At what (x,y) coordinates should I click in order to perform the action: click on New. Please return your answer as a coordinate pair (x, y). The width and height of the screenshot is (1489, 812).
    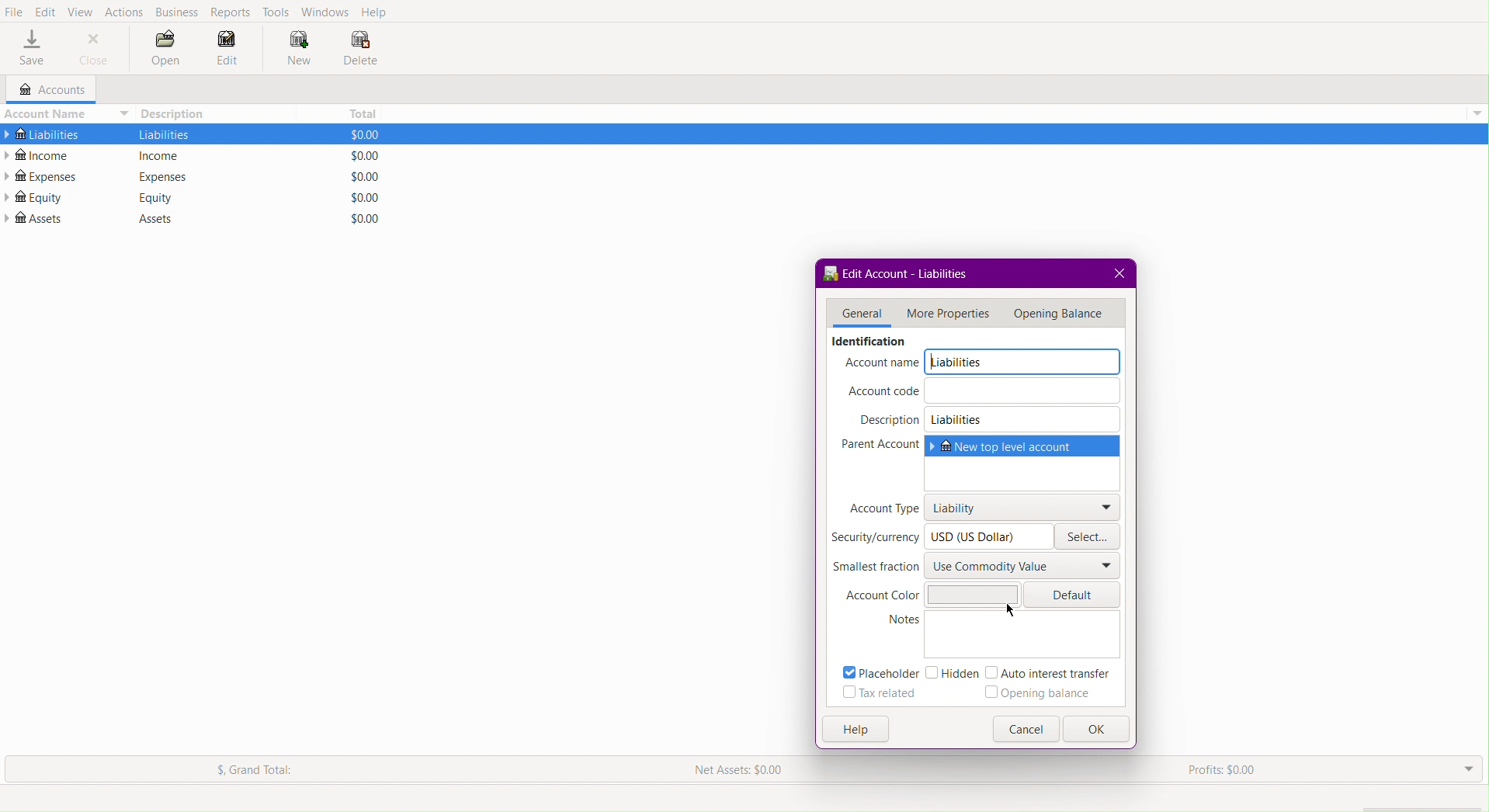
    Looking at the image, I should click on (292, 48).